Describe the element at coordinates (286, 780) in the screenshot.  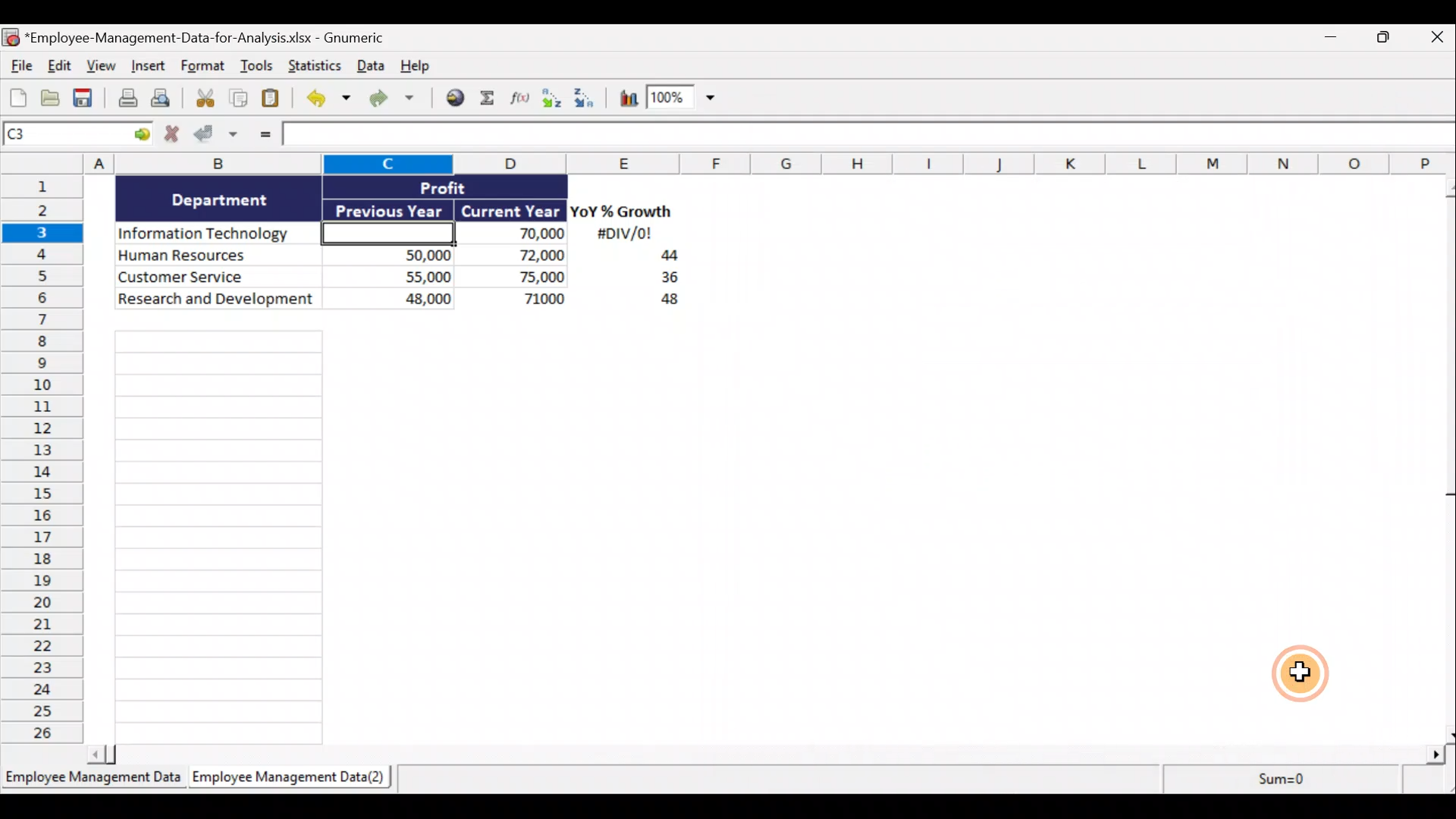
I see `Employee Management Data(2)` at that location.